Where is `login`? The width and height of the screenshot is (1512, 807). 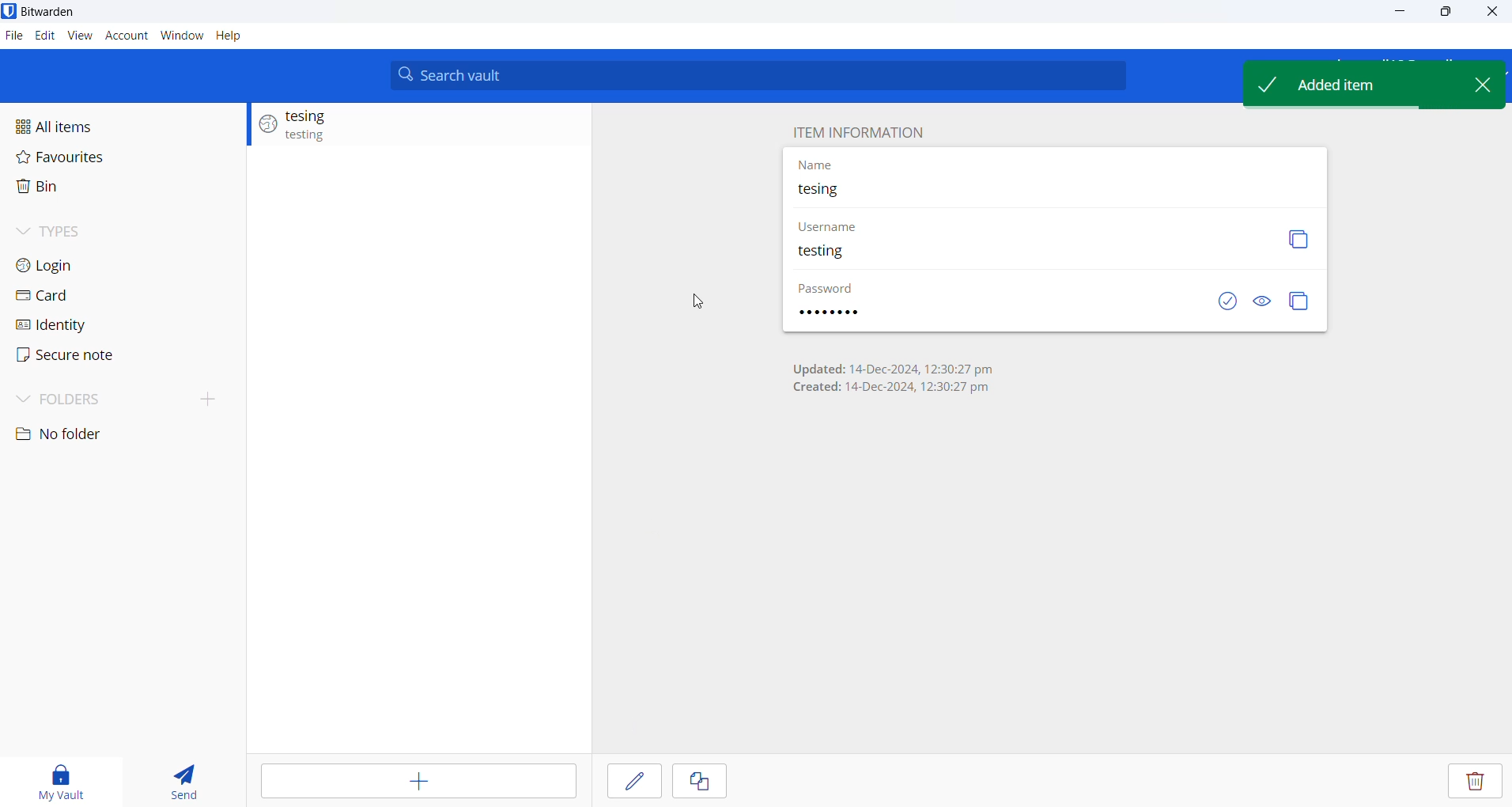
login is located at coordinates (71, 264).